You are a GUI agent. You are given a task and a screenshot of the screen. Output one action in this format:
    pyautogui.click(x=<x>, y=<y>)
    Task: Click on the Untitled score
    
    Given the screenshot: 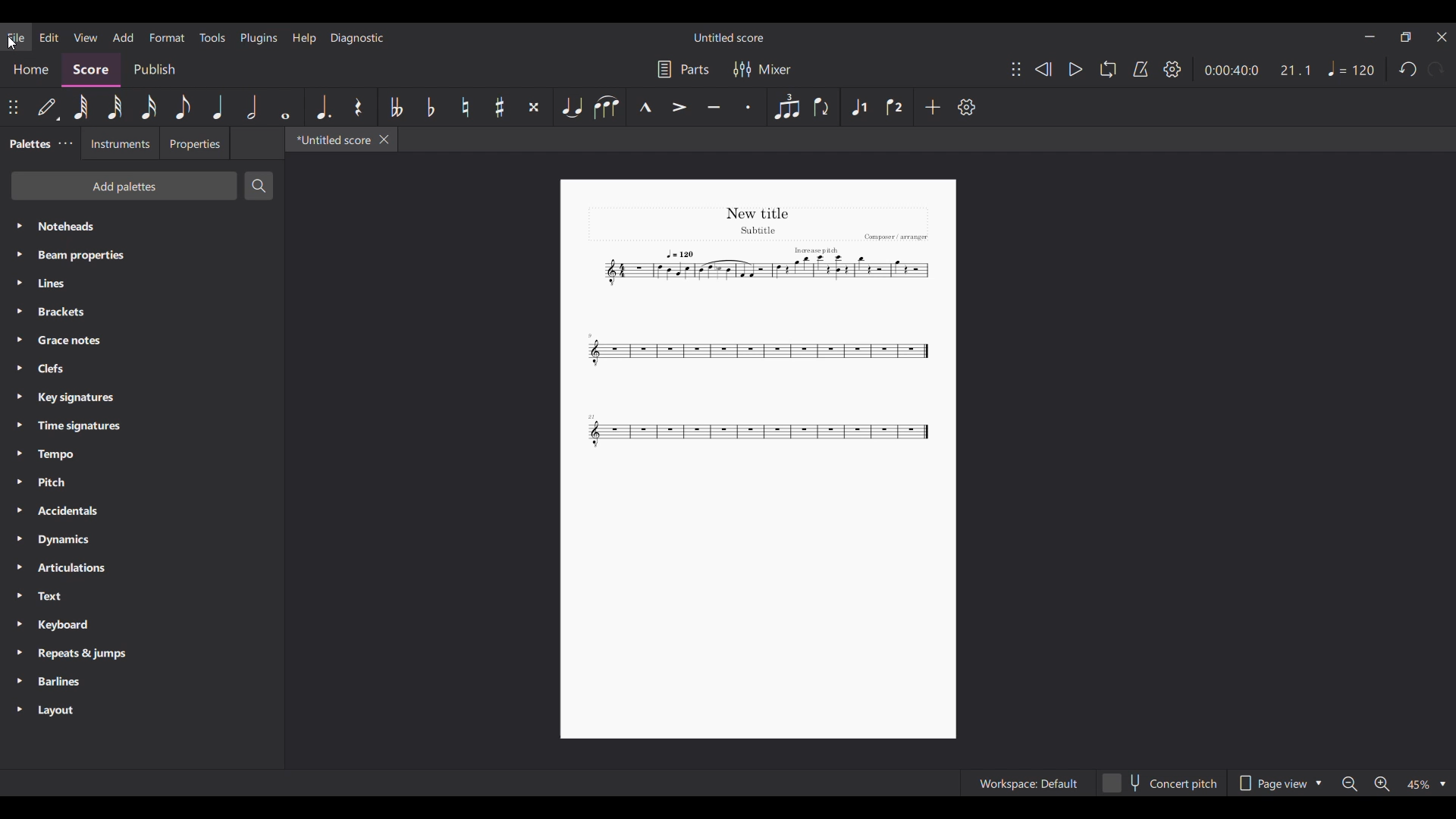 What is the action you would take?
    pyautogui.click(x=728, y=38)
    